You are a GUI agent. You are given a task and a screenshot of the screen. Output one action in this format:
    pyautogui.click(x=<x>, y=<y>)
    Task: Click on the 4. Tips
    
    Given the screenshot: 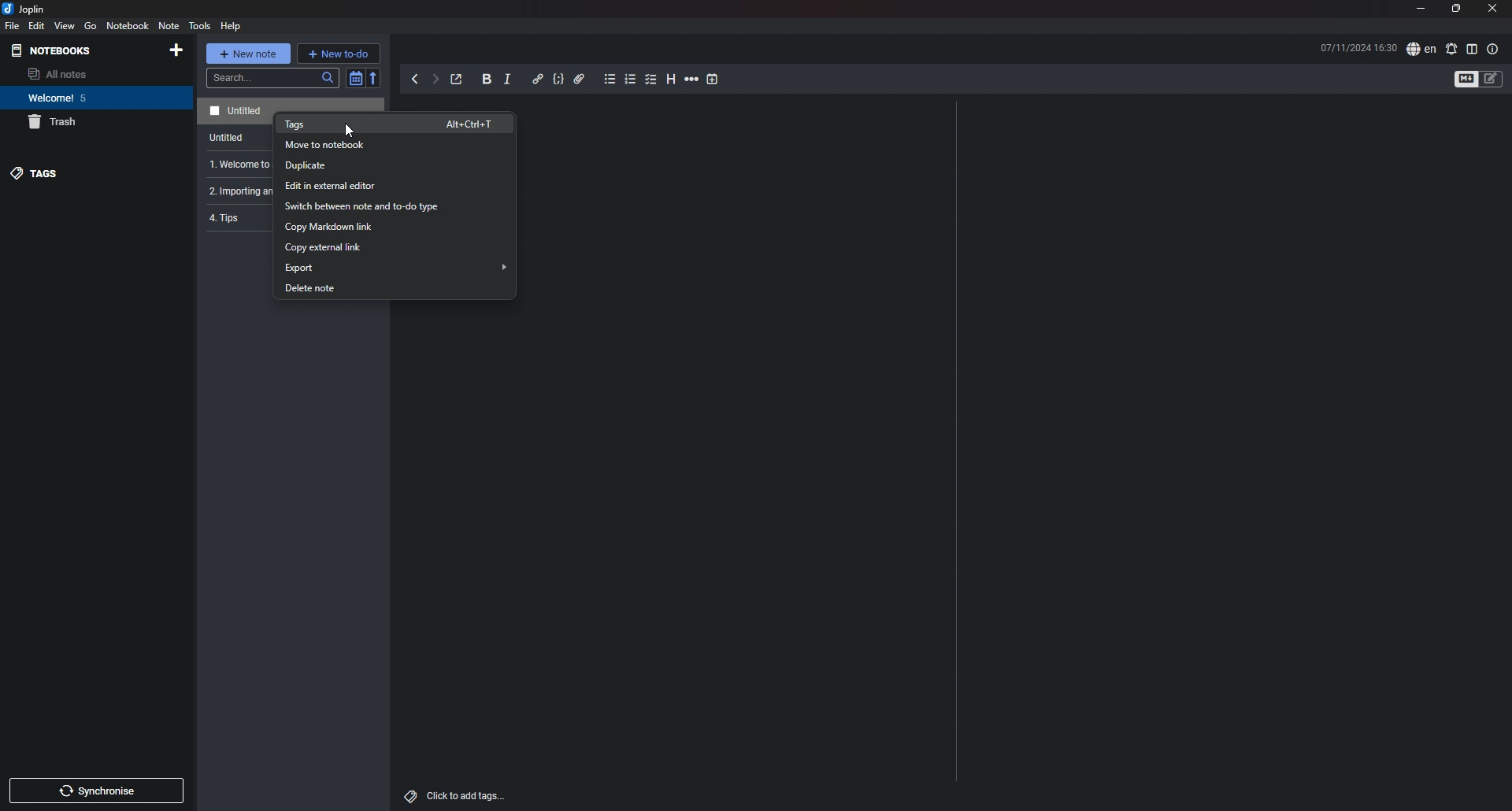 What is the action you would take?
    pyautogui.click(x=224, y=220)
    